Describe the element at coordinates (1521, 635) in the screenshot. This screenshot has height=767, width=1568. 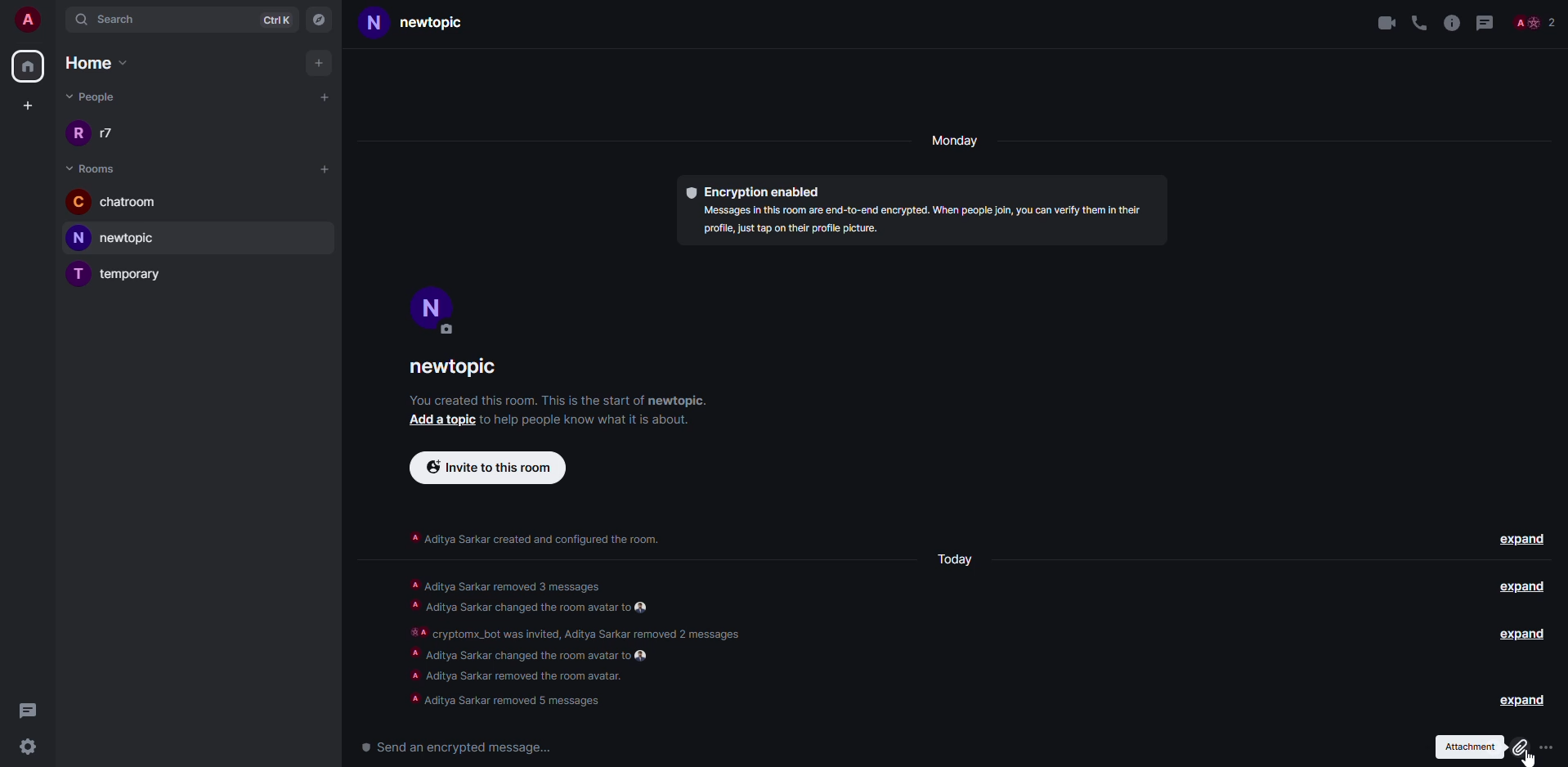
I see `expand` at that location.